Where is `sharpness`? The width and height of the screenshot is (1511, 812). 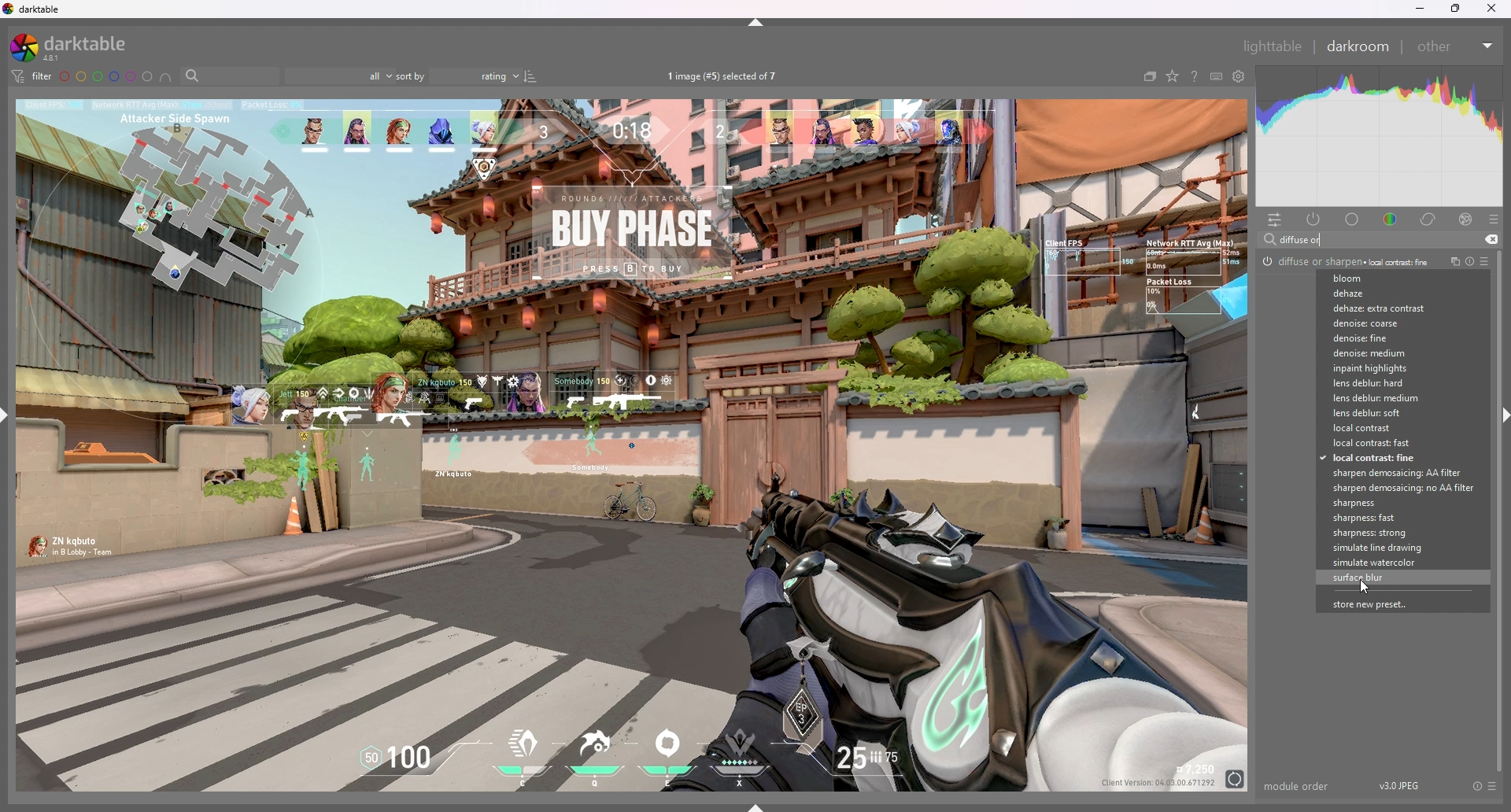
sharpness is located at coordinates (1398, 503).